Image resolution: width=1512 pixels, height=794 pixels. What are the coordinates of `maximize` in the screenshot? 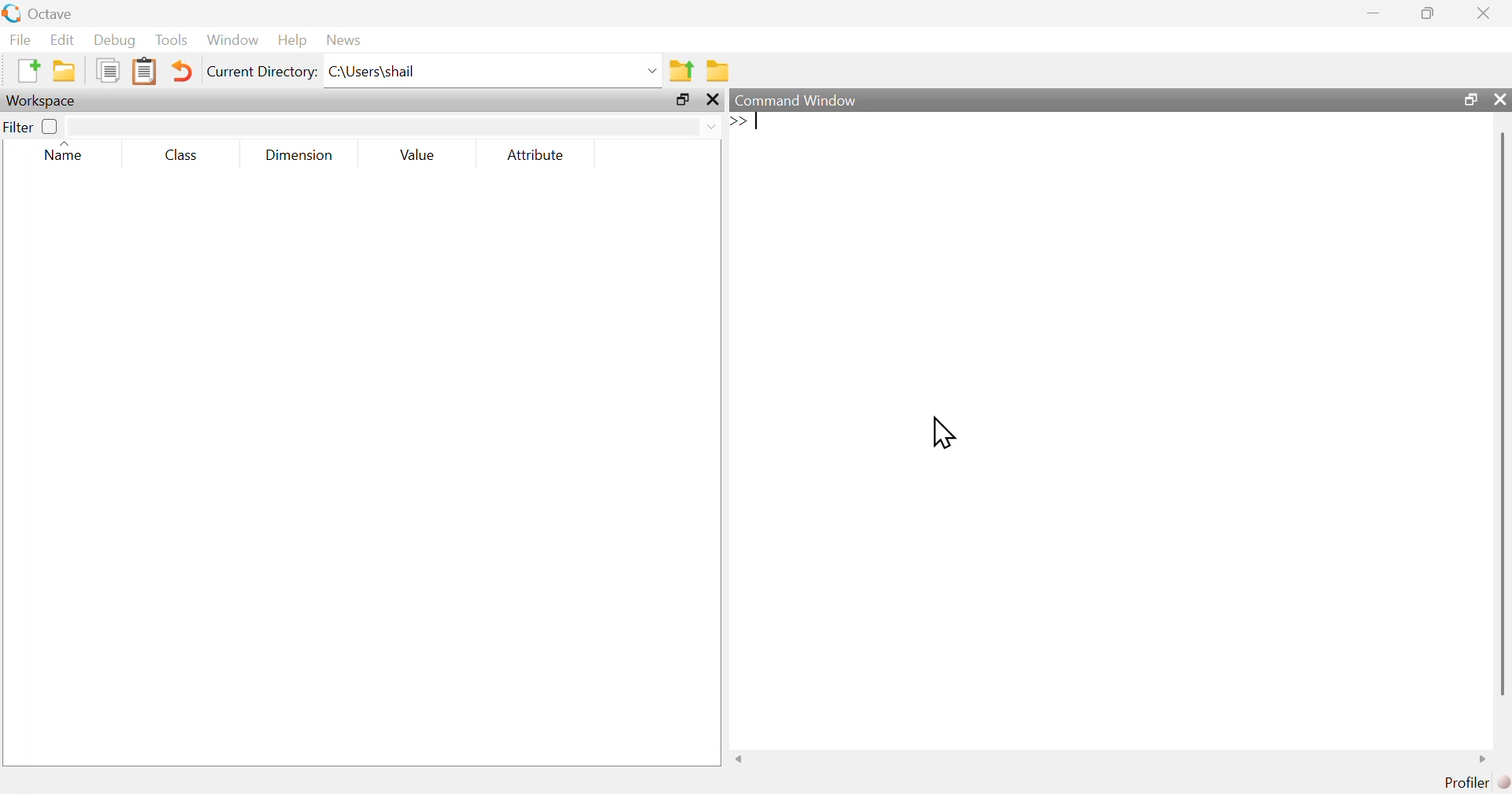 It's located at (1467, 98).